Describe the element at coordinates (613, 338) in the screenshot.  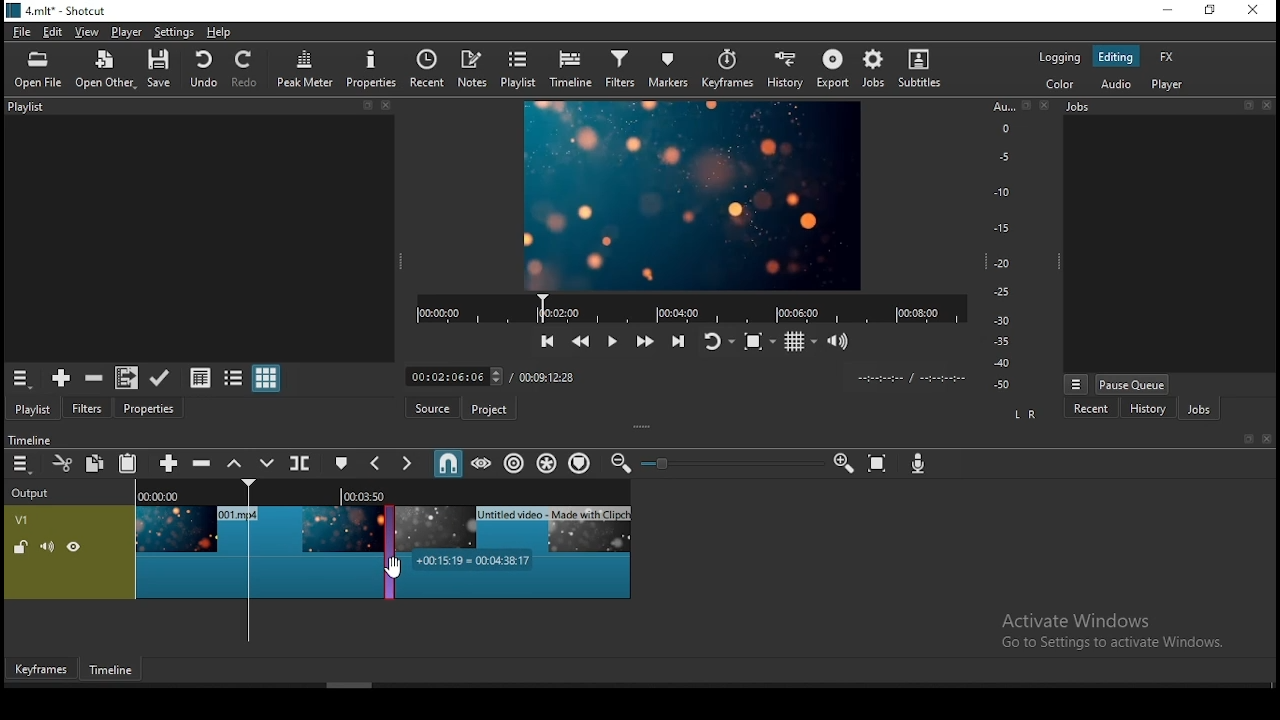
I see `play/pause` at that location.